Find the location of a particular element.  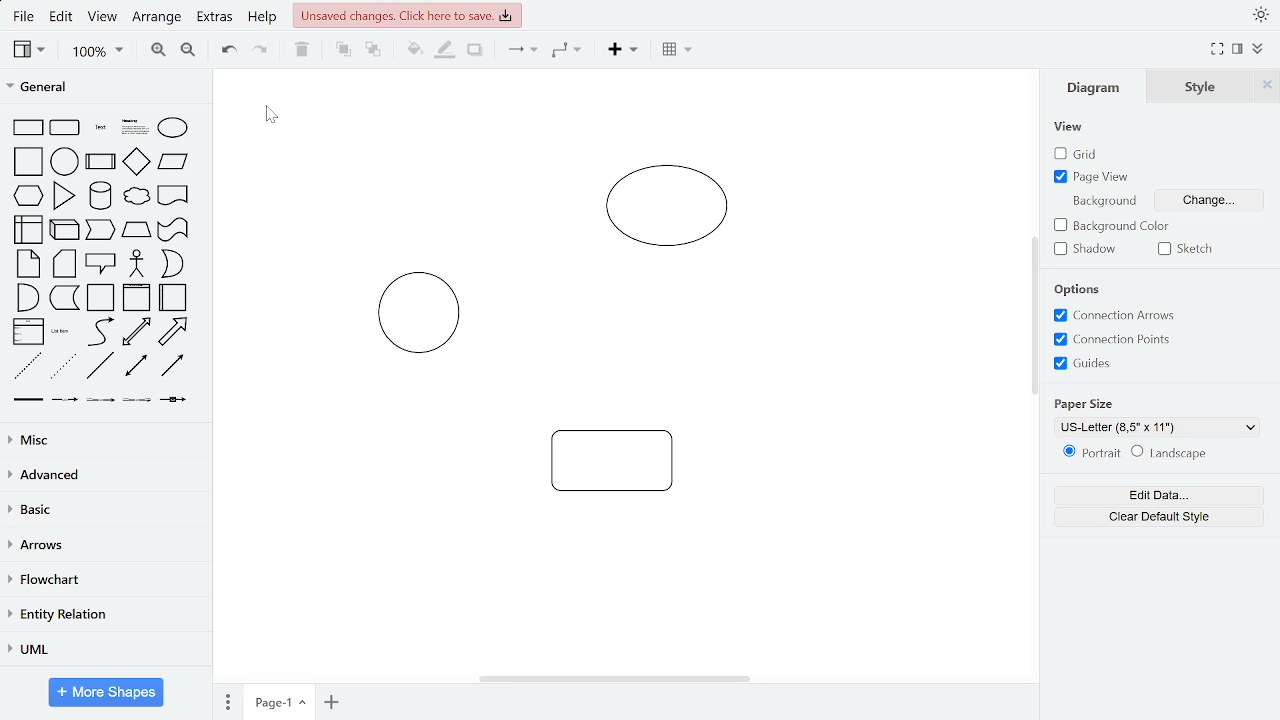

shadow is located at coordinates (474, 51).